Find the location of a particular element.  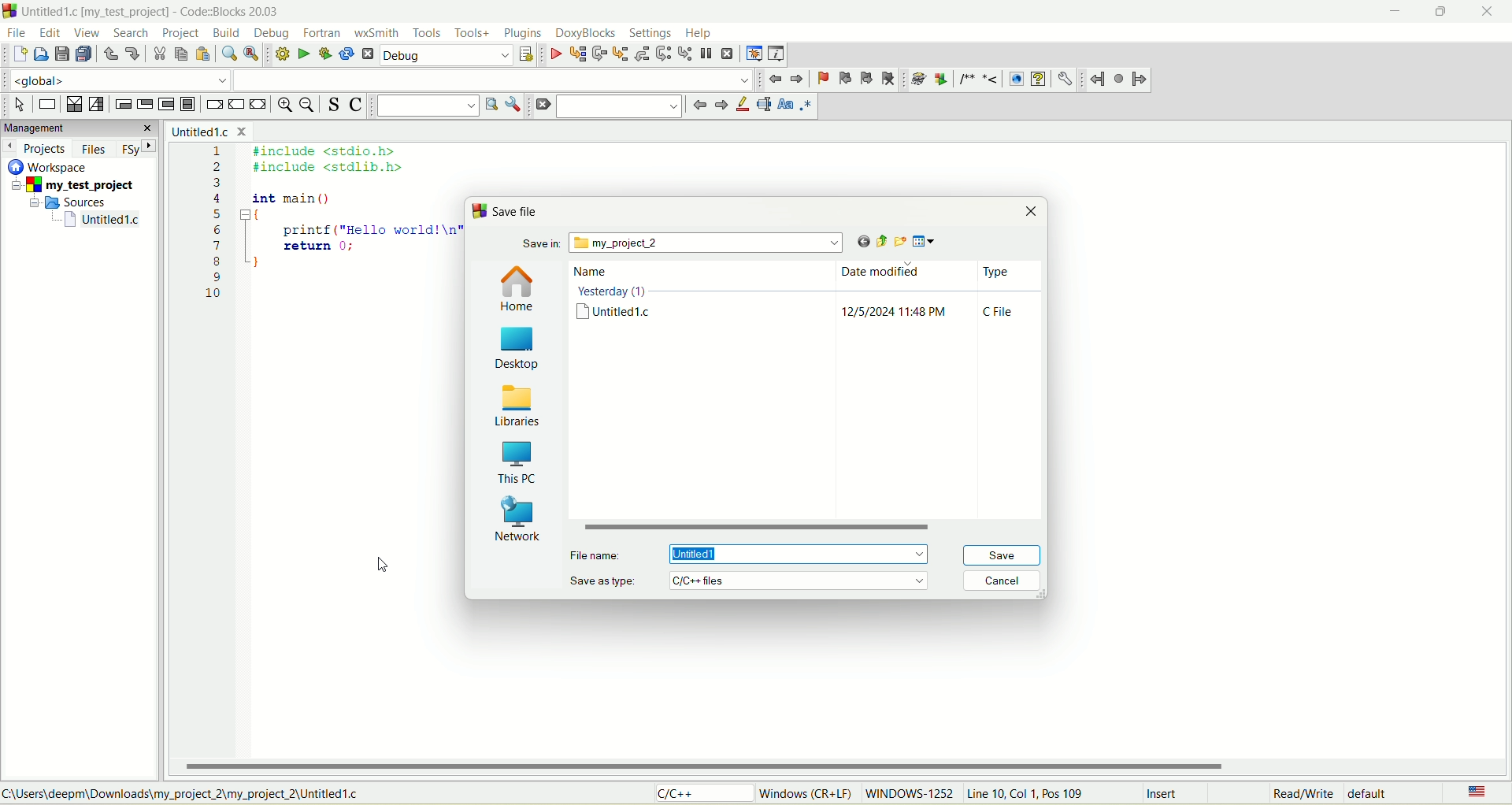

date modified is located at coordinates (896, 296).